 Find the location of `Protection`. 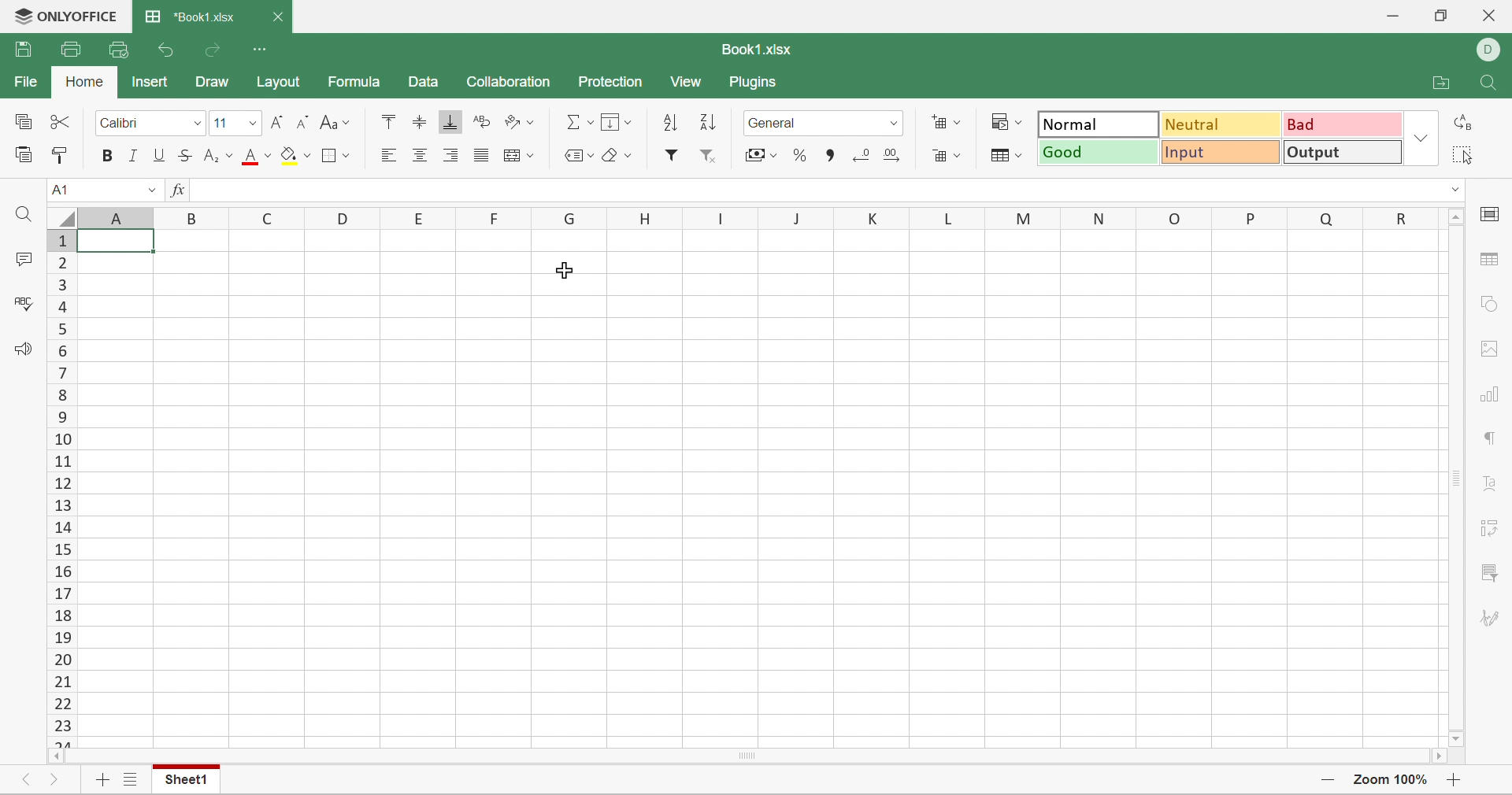

Protection is located at coordinates (609, 83).